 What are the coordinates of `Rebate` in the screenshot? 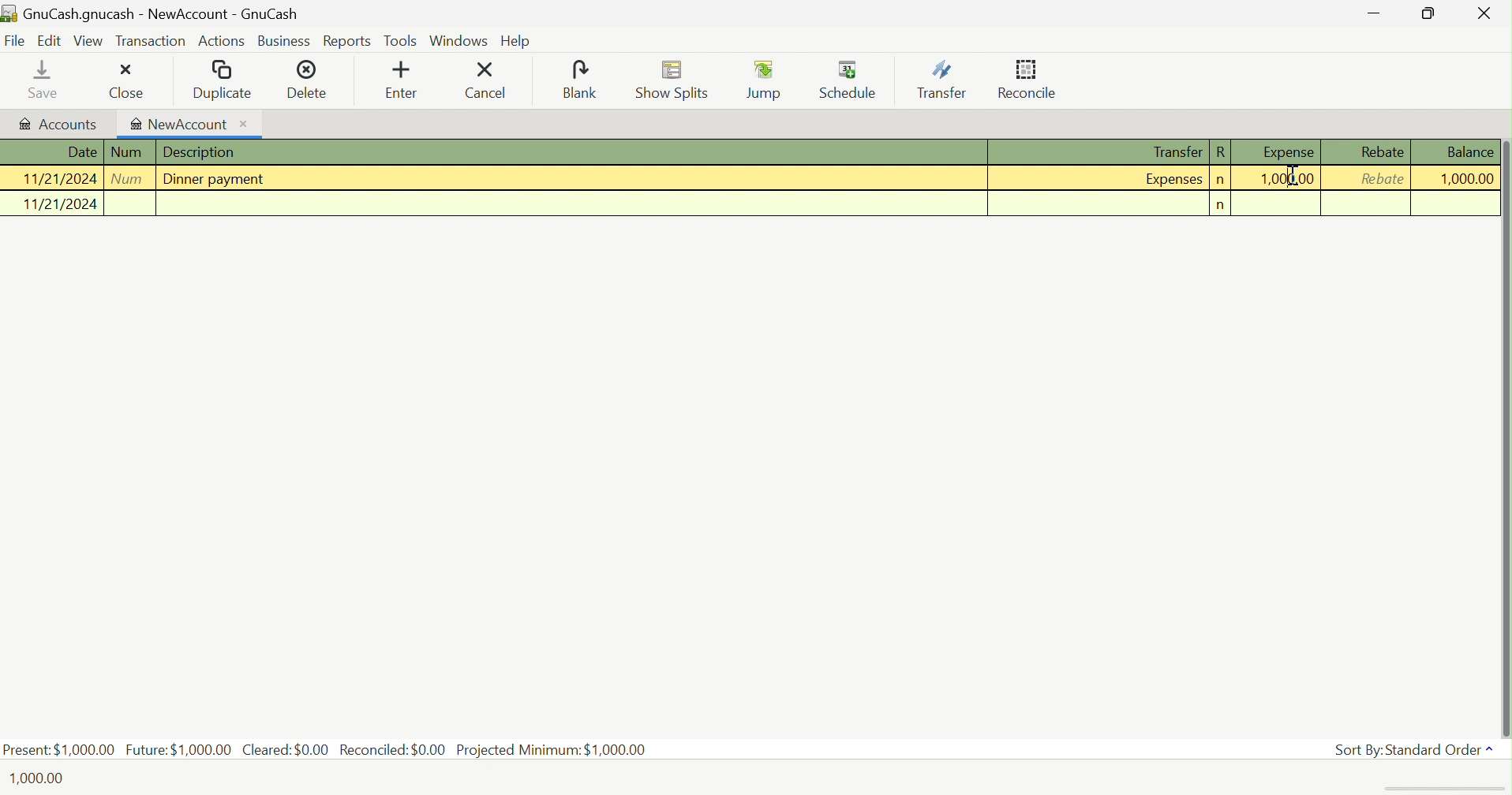 It's located at (1382, 177).